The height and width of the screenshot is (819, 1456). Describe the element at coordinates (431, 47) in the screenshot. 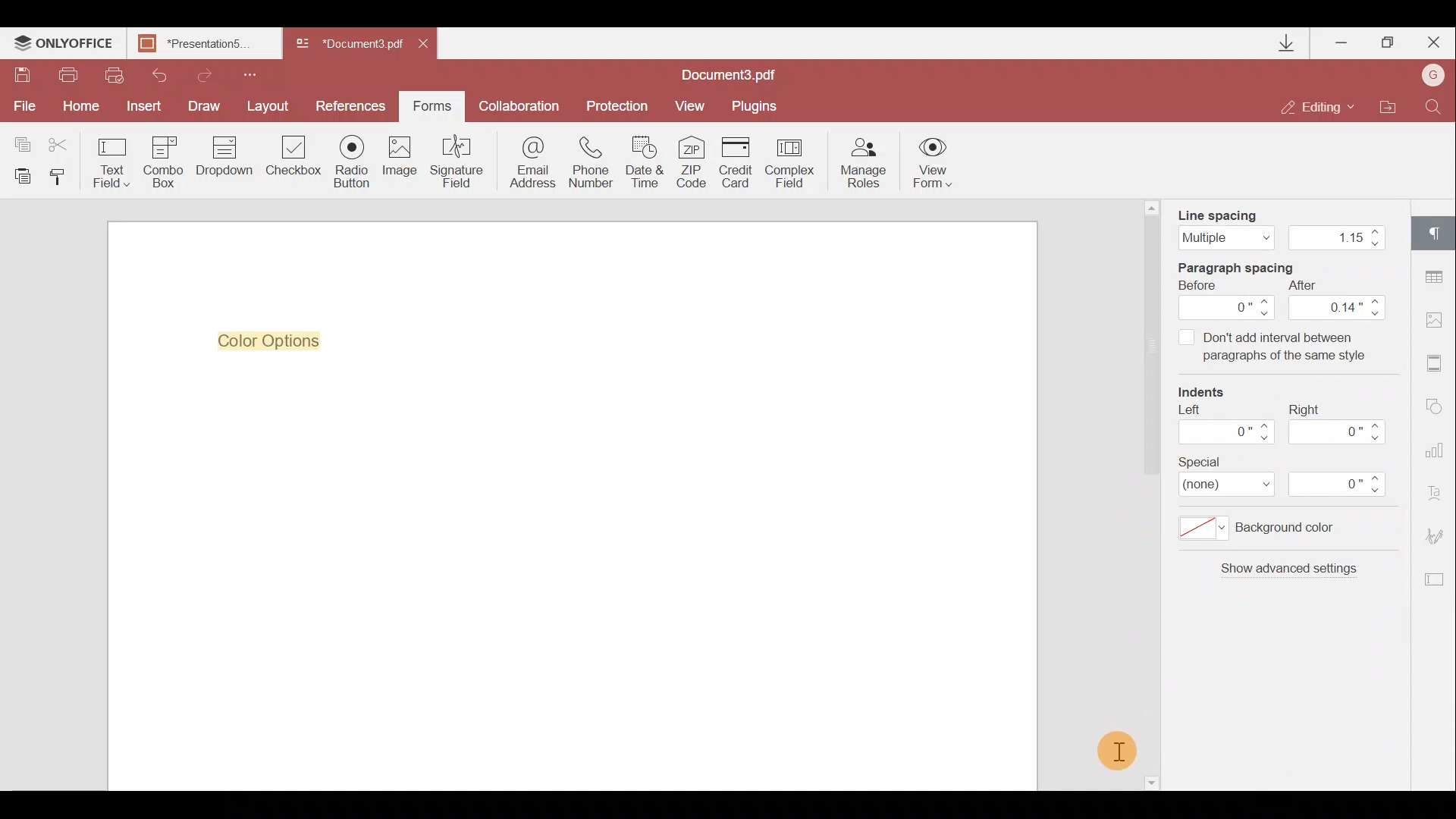

I see `Close` at that location.